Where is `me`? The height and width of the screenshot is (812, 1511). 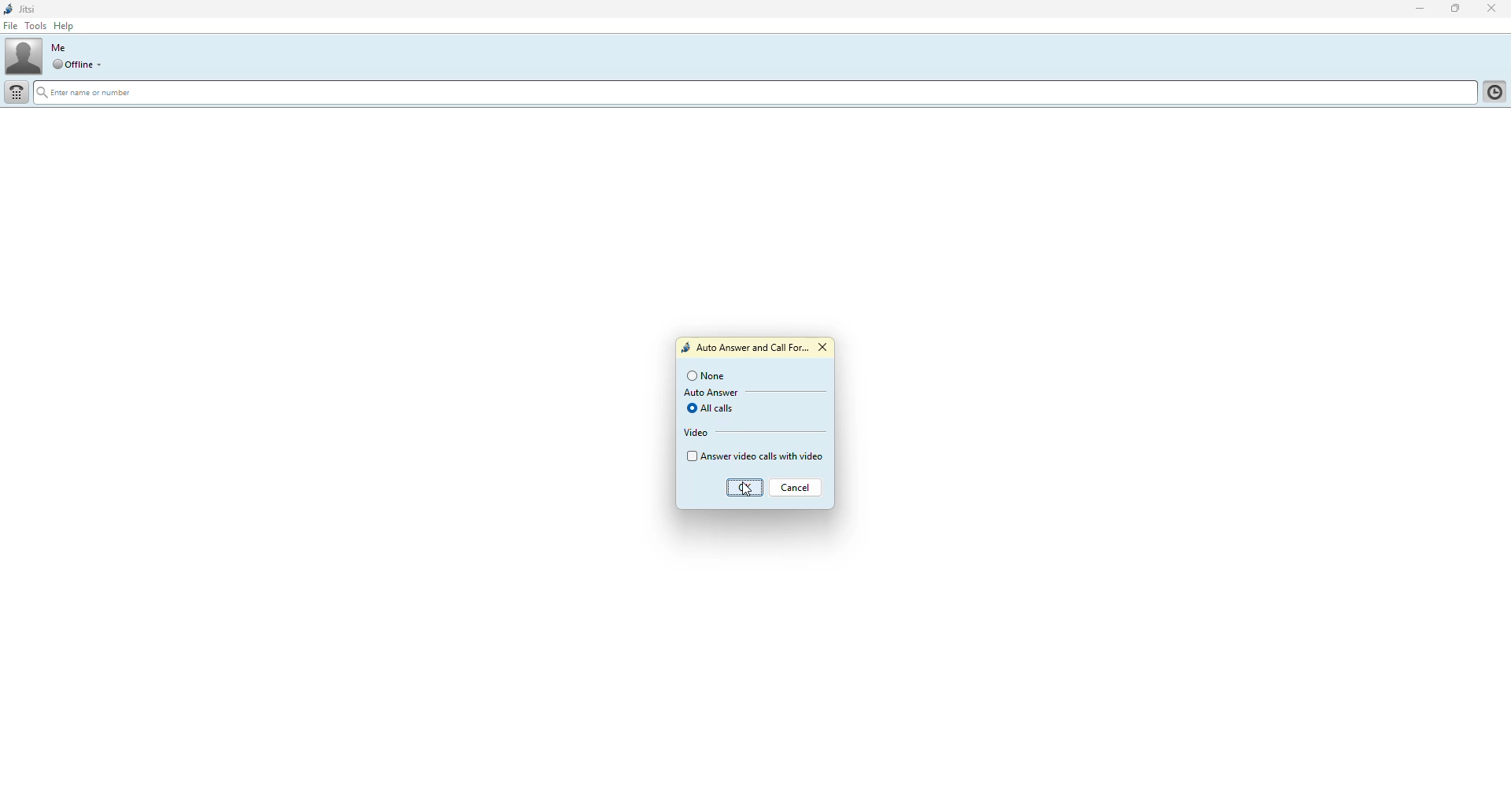
me is located at coordinates (59, 47).